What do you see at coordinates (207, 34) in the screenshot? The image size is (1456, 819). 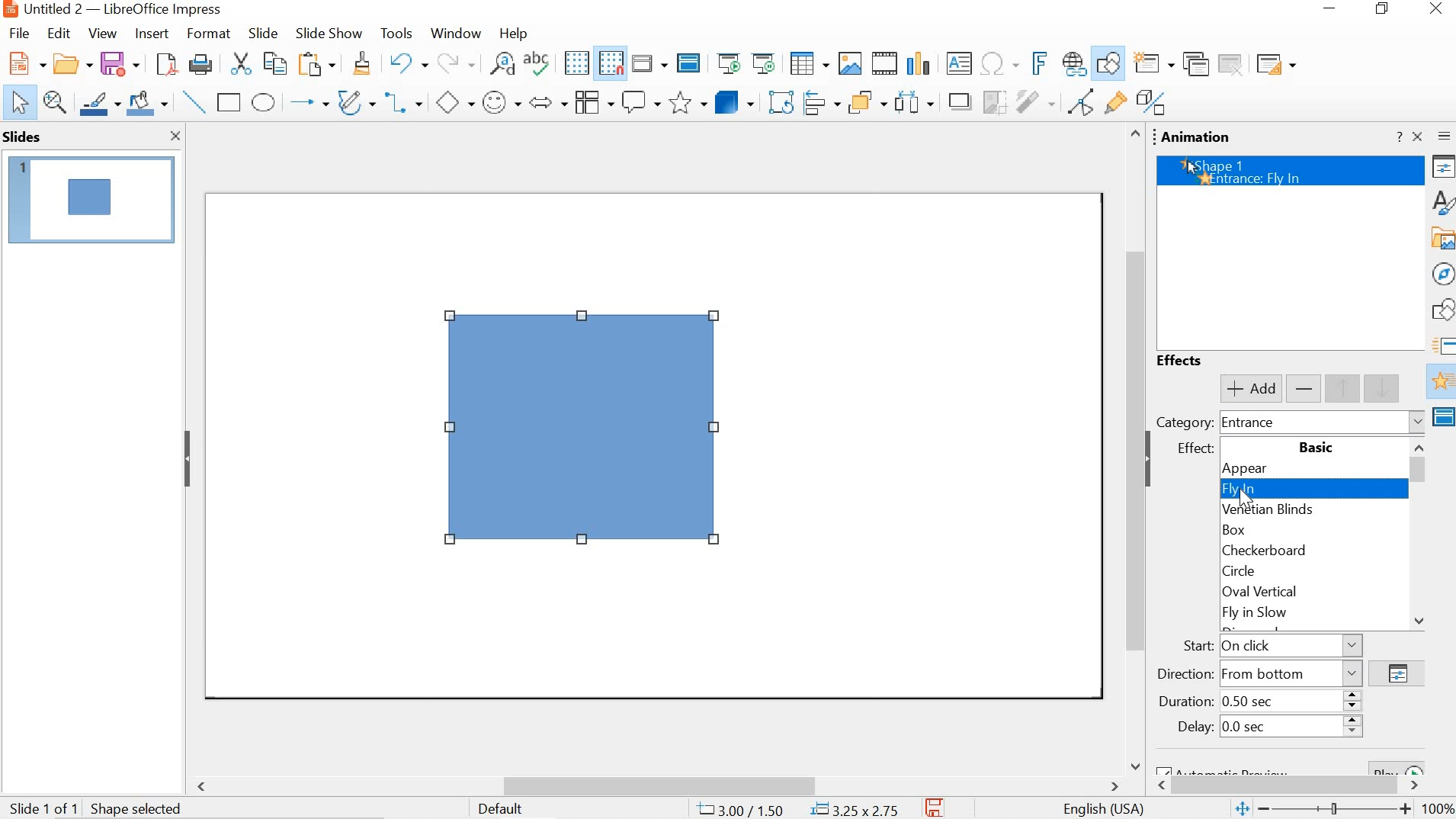 I see `format` at bounding box center [207, 34].